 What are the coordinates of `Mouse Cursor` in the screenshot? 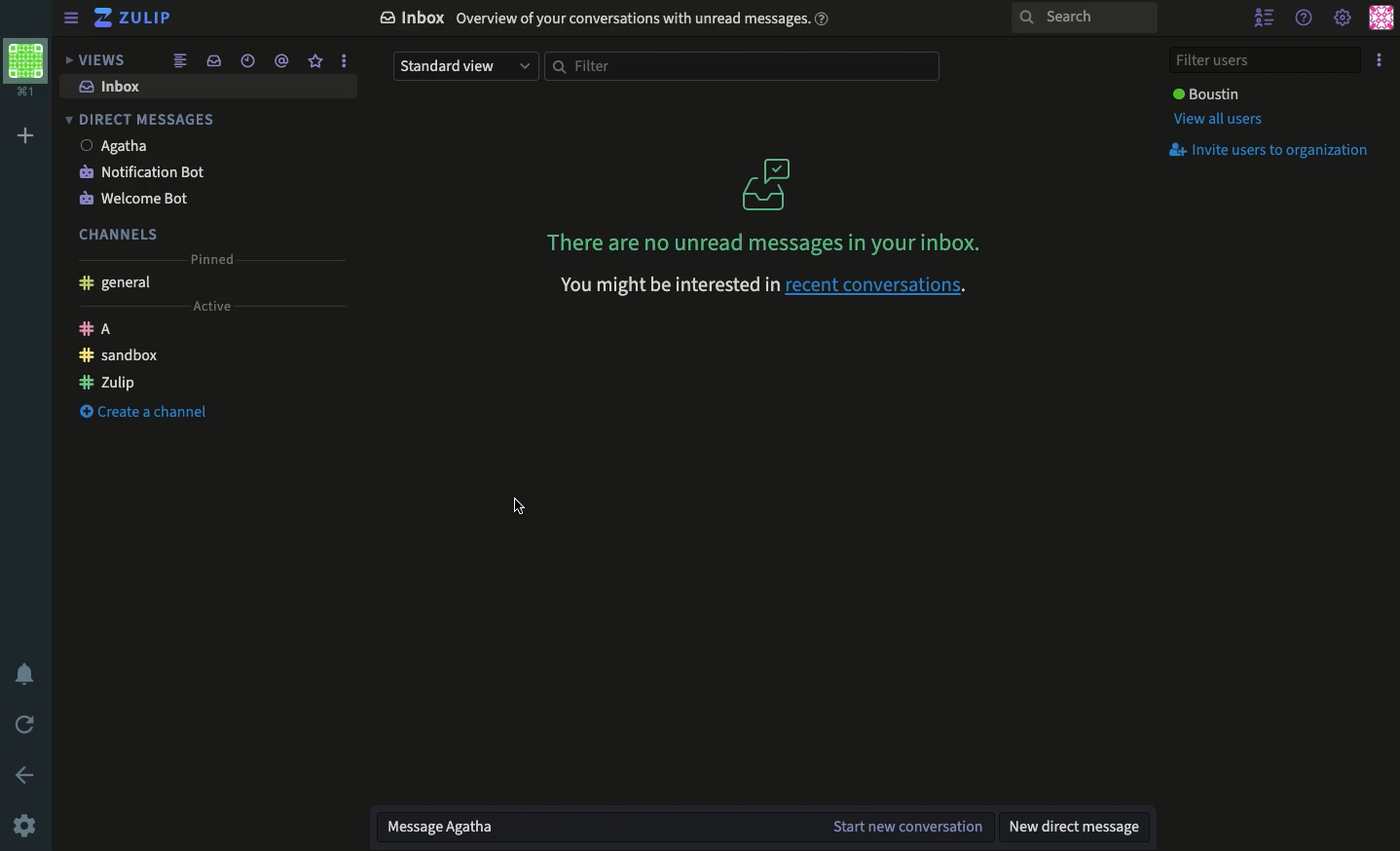 It's located at (518, 509).